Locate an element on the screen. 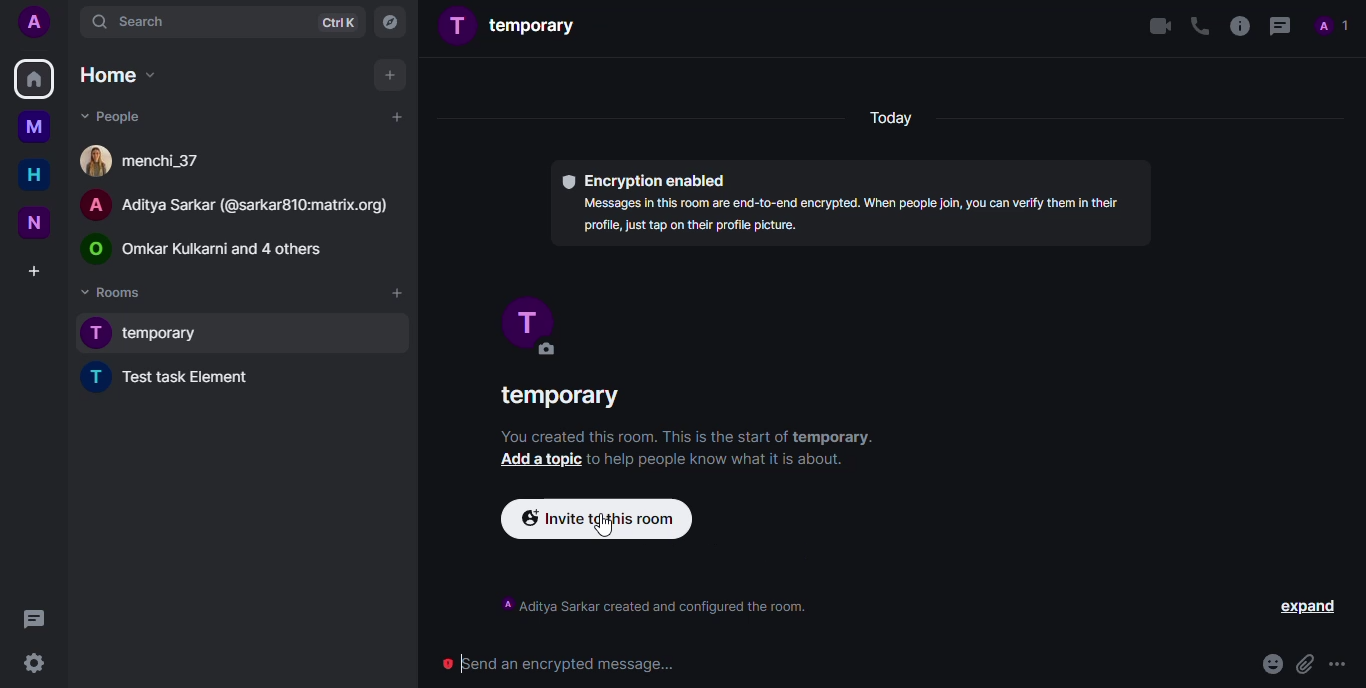 The height and width of the screenshot is (688, 1366). You created this room. This is the start of temporary. is located at coordinates (687, 435).